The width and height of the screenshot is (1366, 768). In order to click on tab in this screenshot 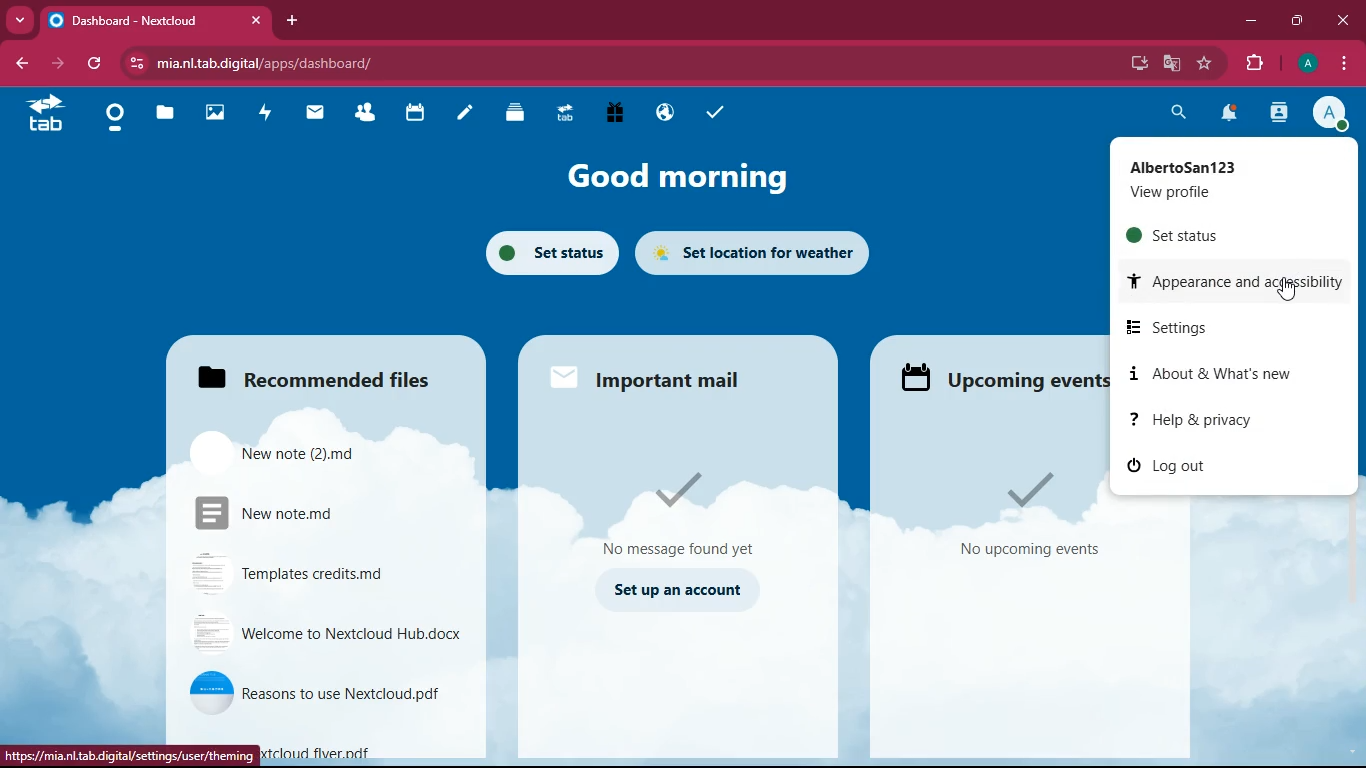, I will do `click(561, 113)`.